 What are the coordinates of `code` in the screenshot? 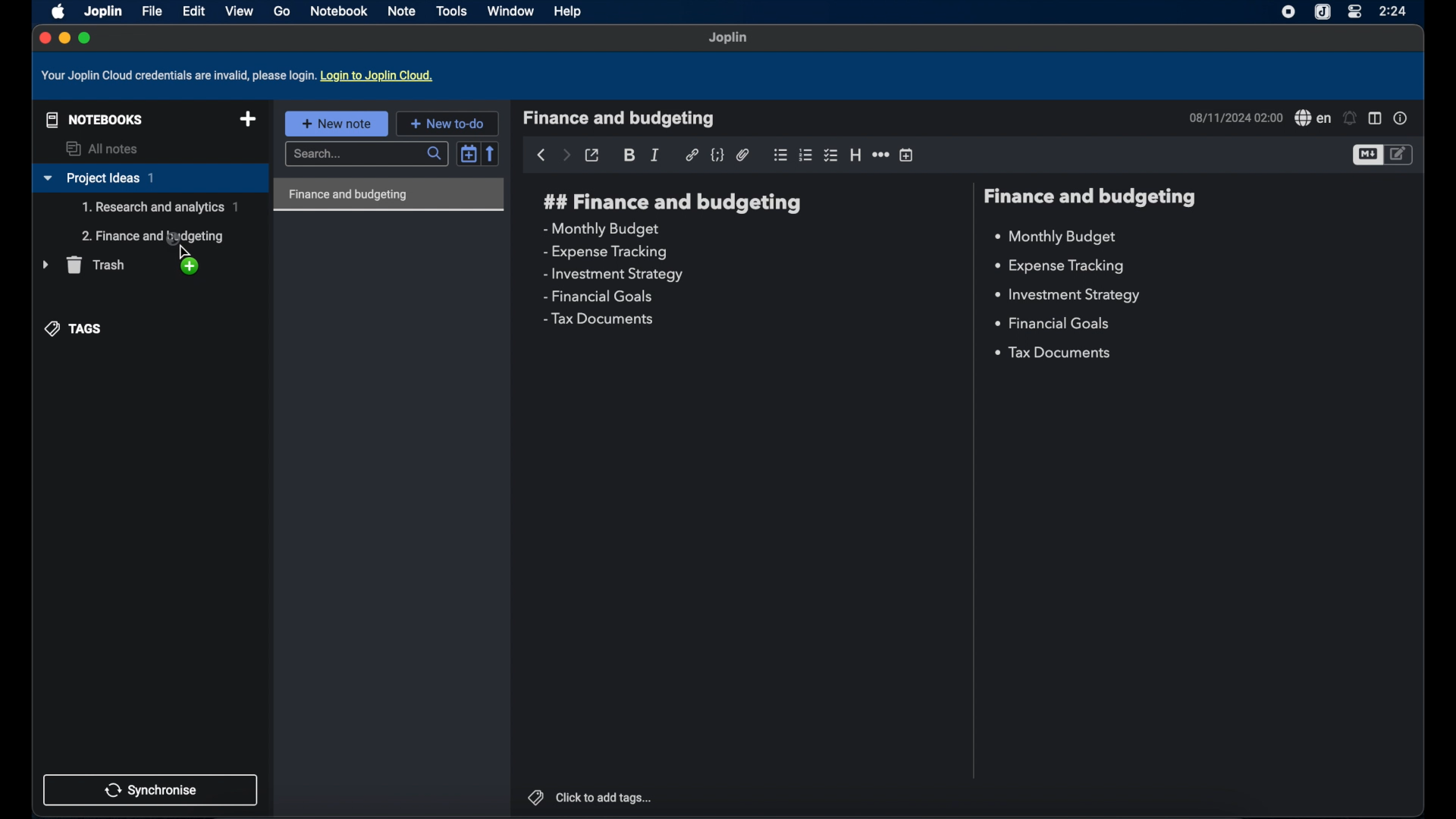 It's located at (718, 155).